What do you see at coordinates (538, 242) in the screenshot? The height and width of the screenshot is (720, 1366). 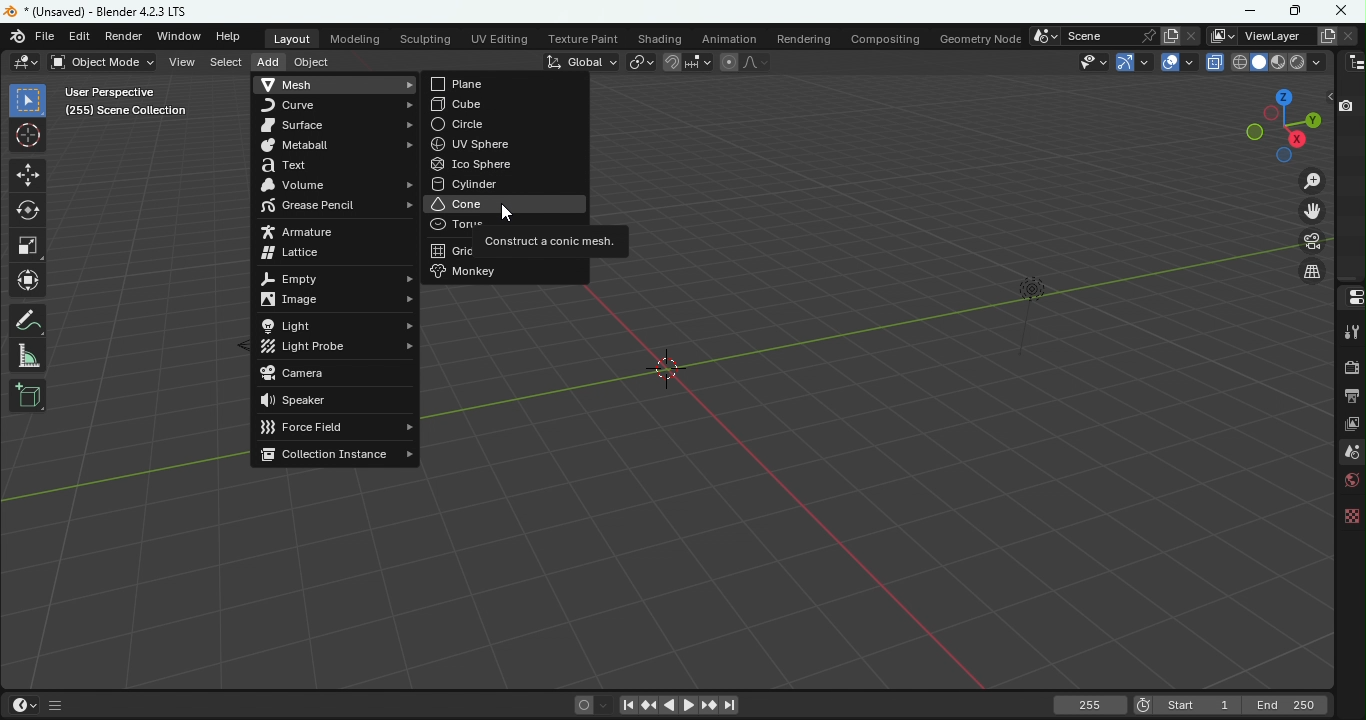 I see `Construct a conic mesh` at bounding box center [538, 242].